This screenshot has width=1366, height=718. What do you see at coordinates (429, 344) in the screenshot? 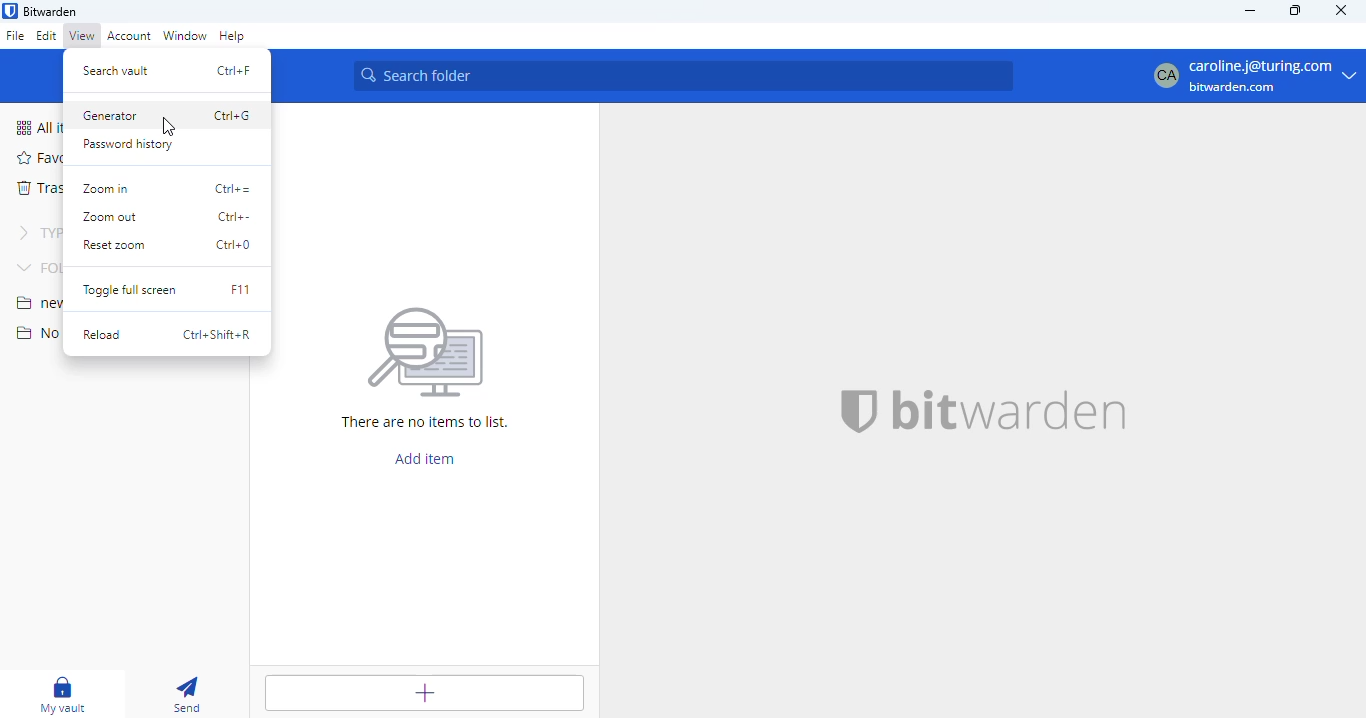
I see `Searching for file vector ` at bounding box center [429, 344].